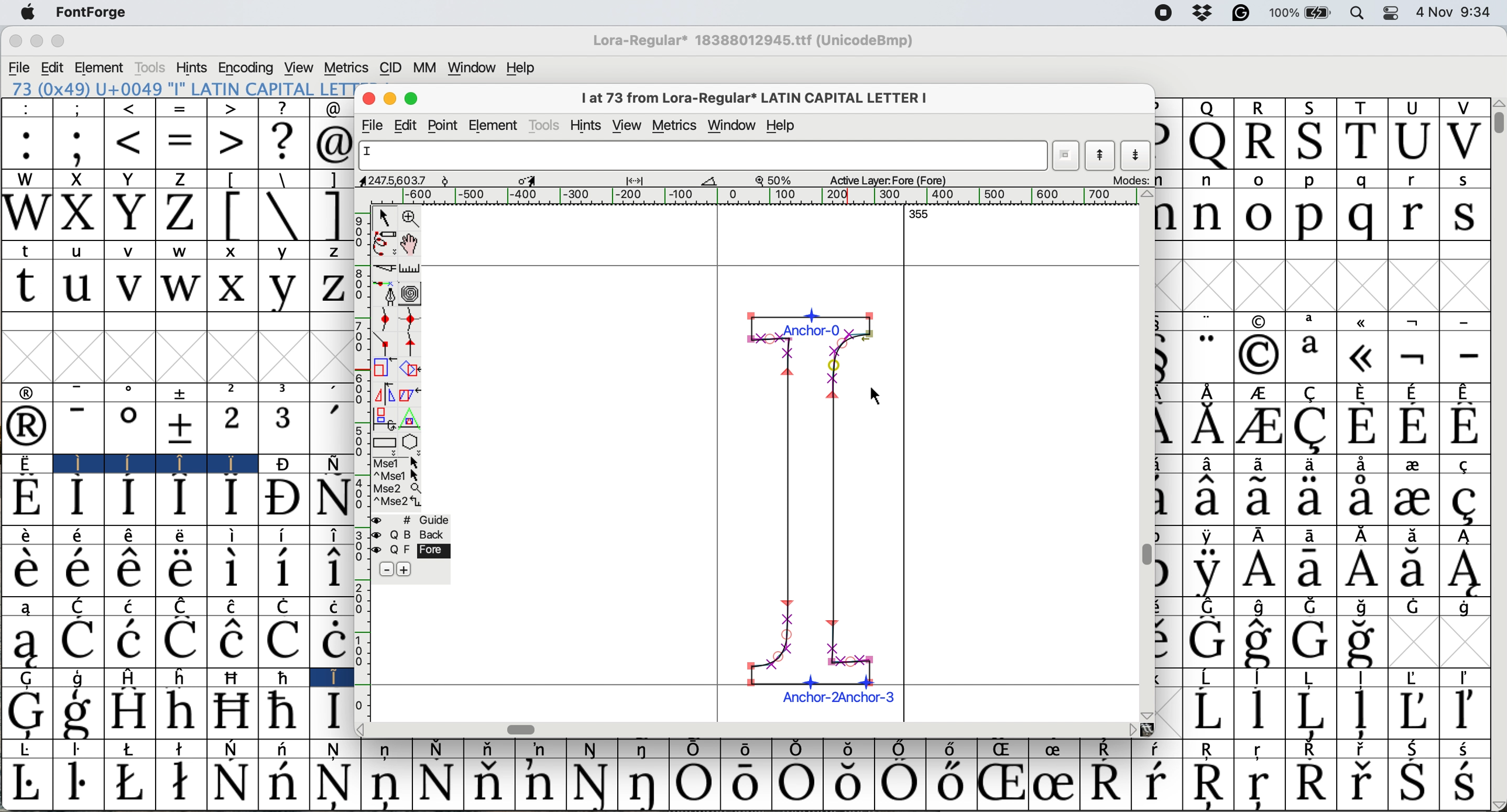 The height and width of the screenshot is (812, 1507). Describe the element at coordinates (368, 730) in the screenshot. I see `` at that location.